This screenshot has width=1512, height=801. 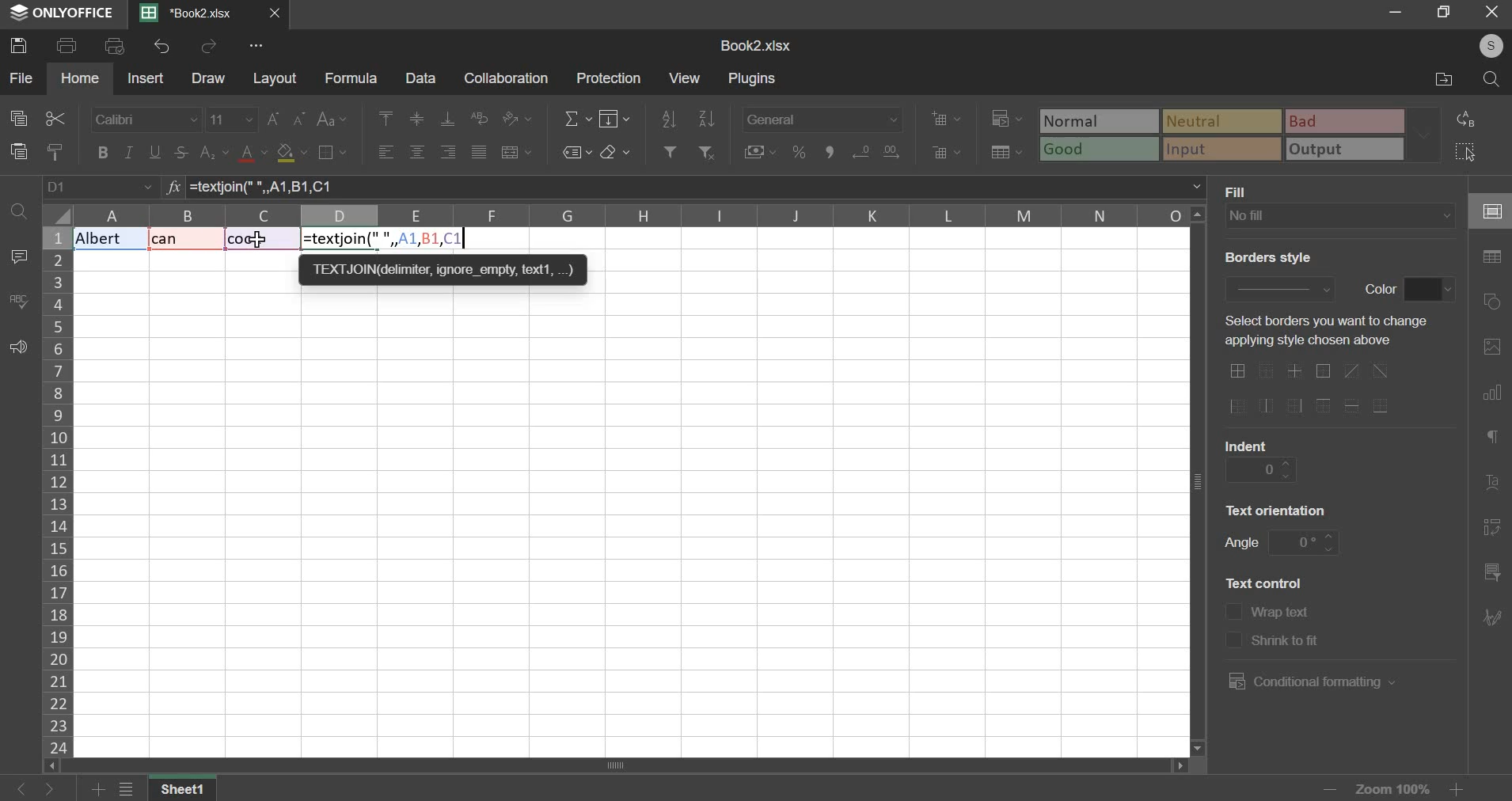 I want to click on print preview, so click(x=116, y=46).